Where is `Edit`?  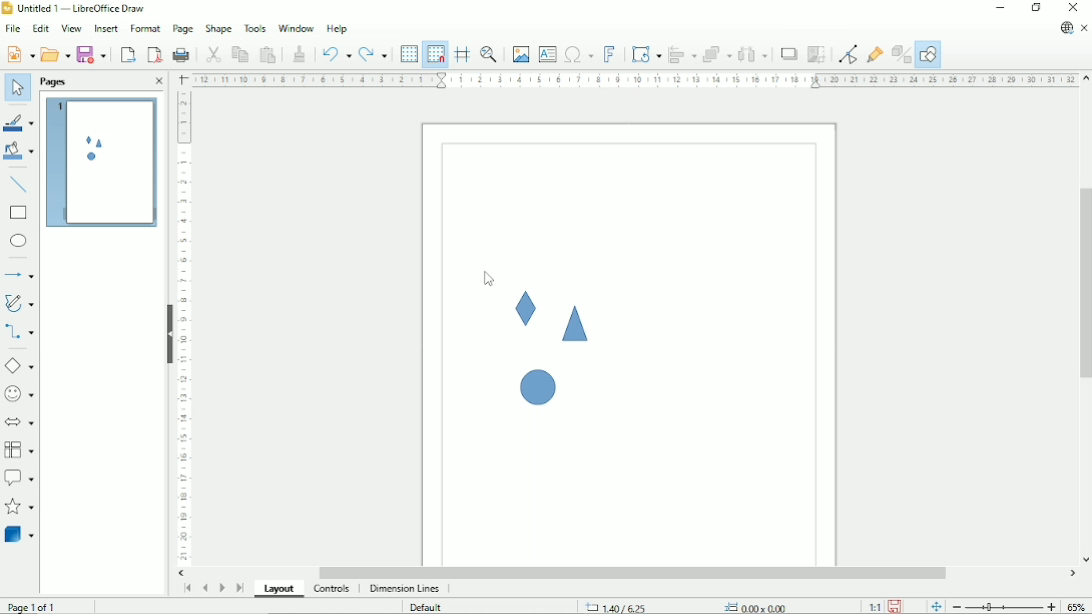 Edit is located at coordinates (40, 27).